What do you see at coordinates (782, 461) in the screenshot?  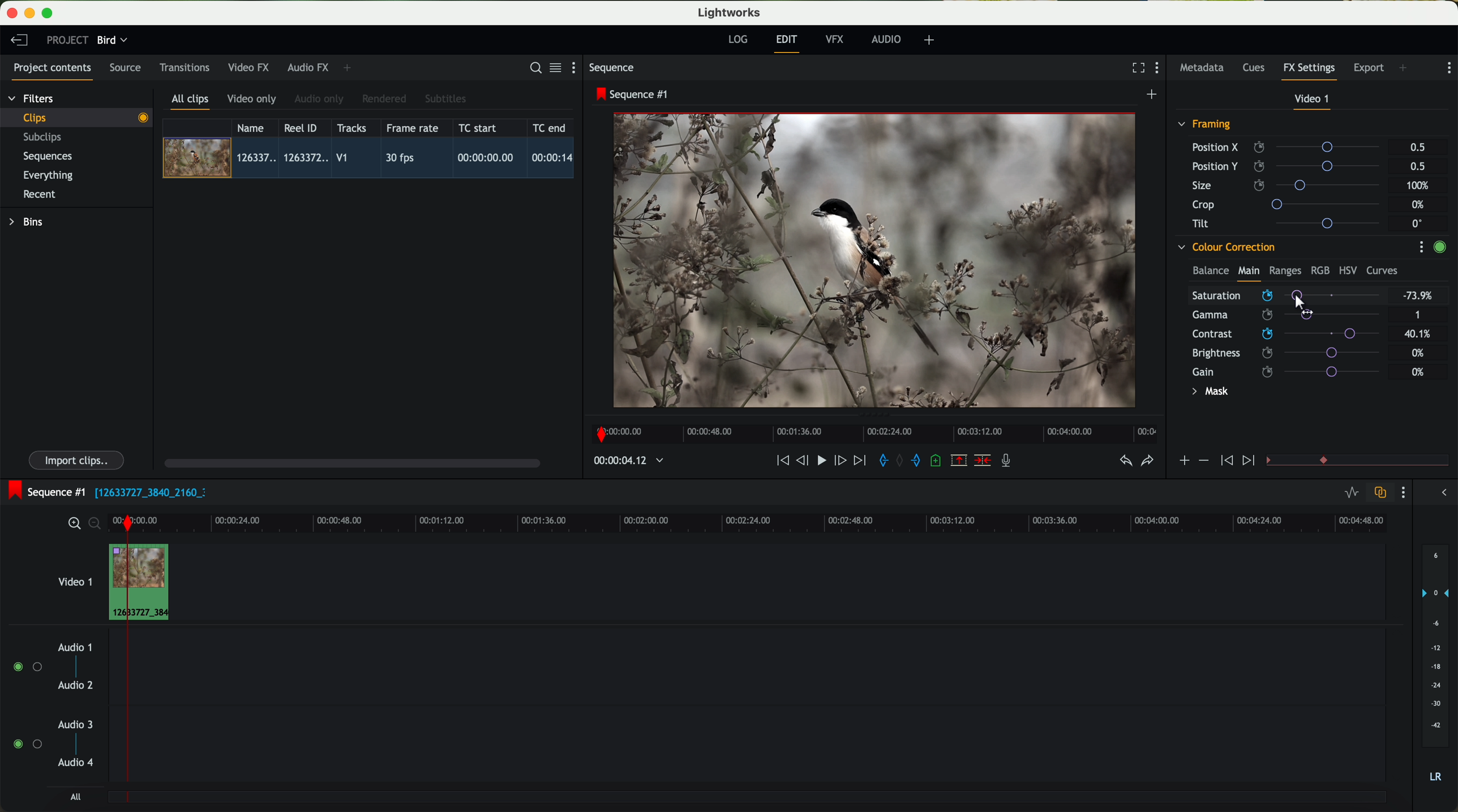 I see `rewind` at bounding box center [782, 461].